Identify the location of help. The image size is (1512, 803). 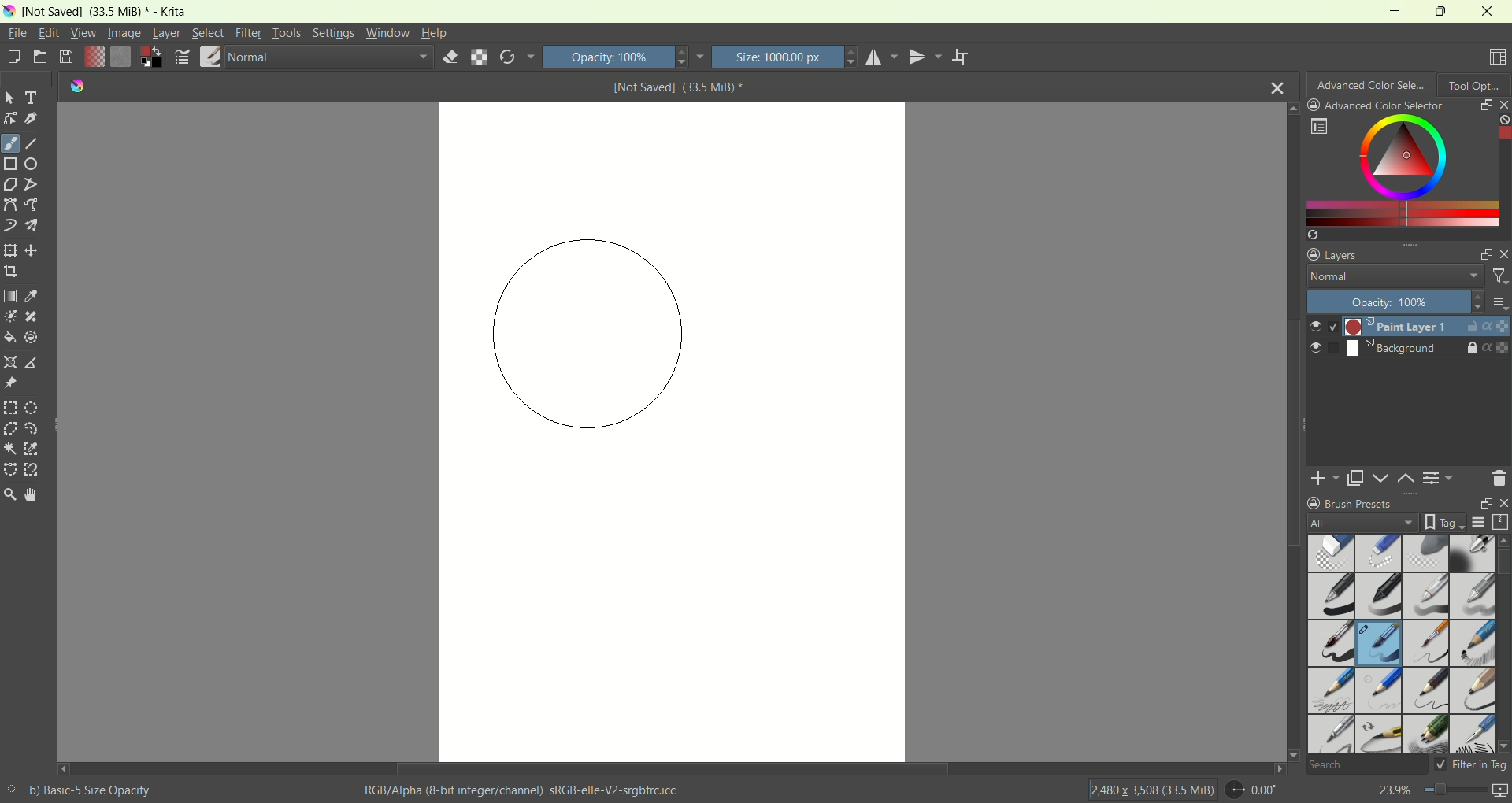
(435, 35).